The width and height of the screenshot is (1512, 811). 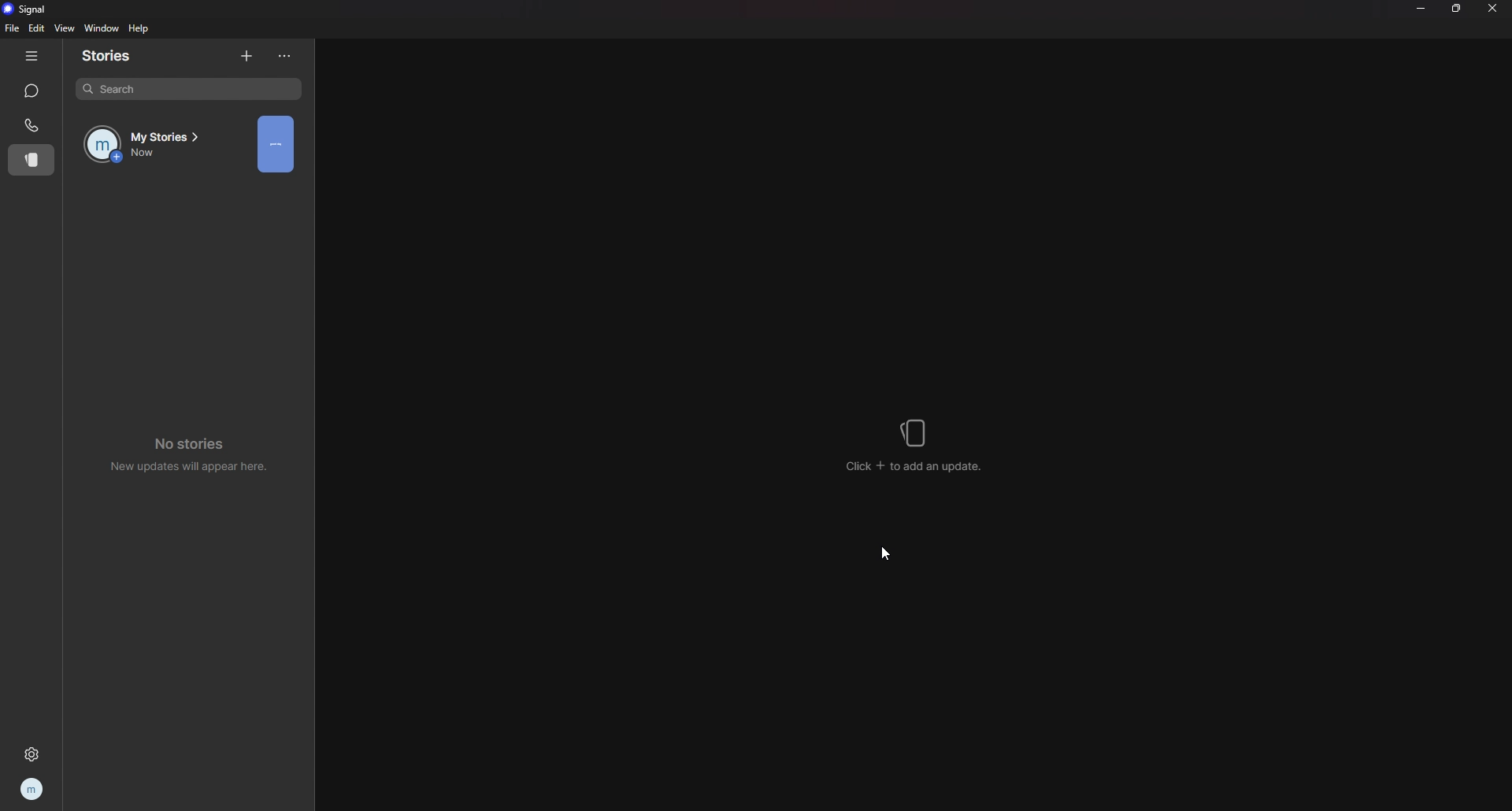 What do you see at coordinates (1421, 8) in the screenshot?
I see `minimize` at bounding box center [1421, 8].